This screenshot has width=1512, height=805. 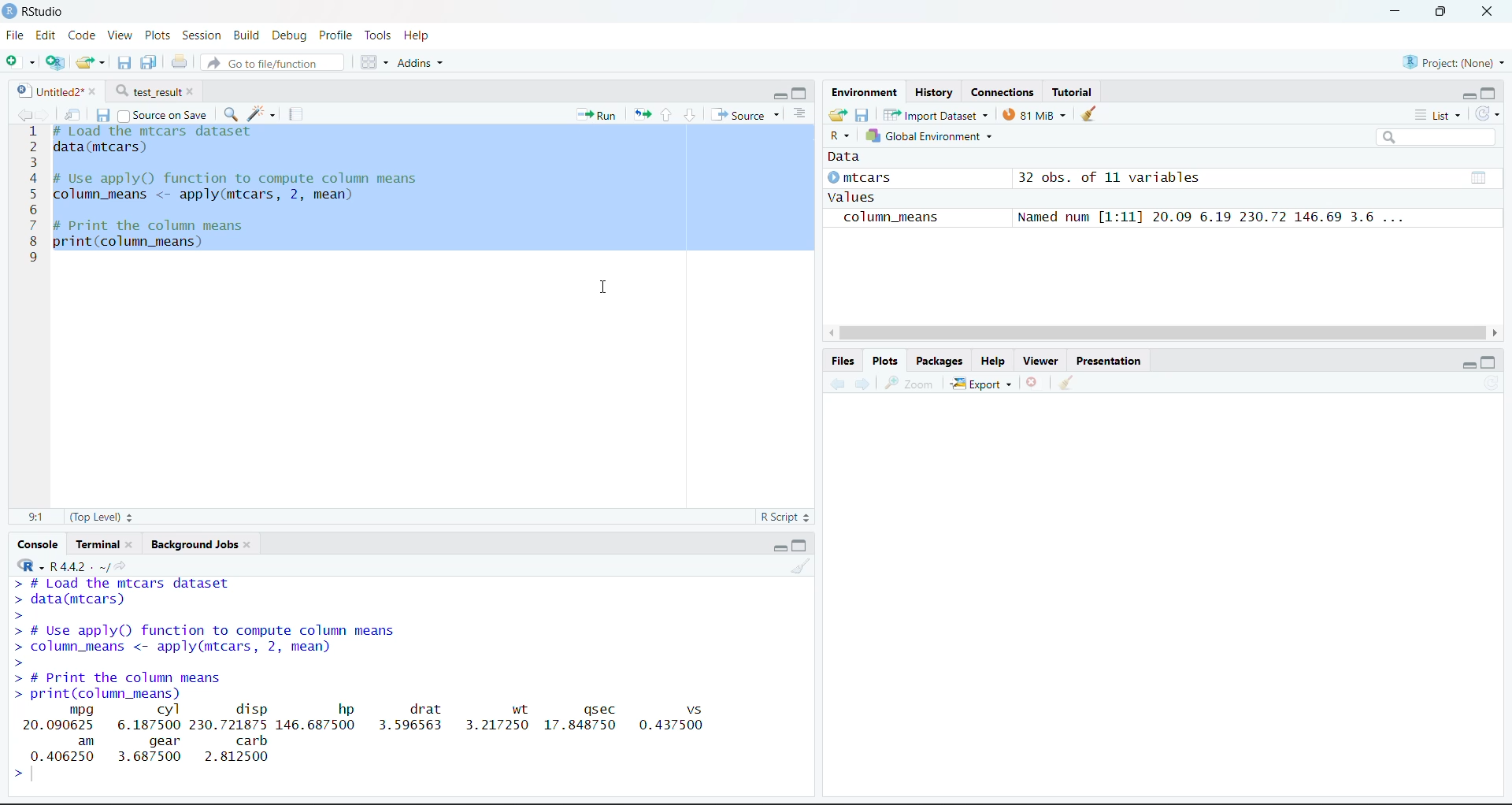 I want to click on R Script, so click(x=787, y=517).